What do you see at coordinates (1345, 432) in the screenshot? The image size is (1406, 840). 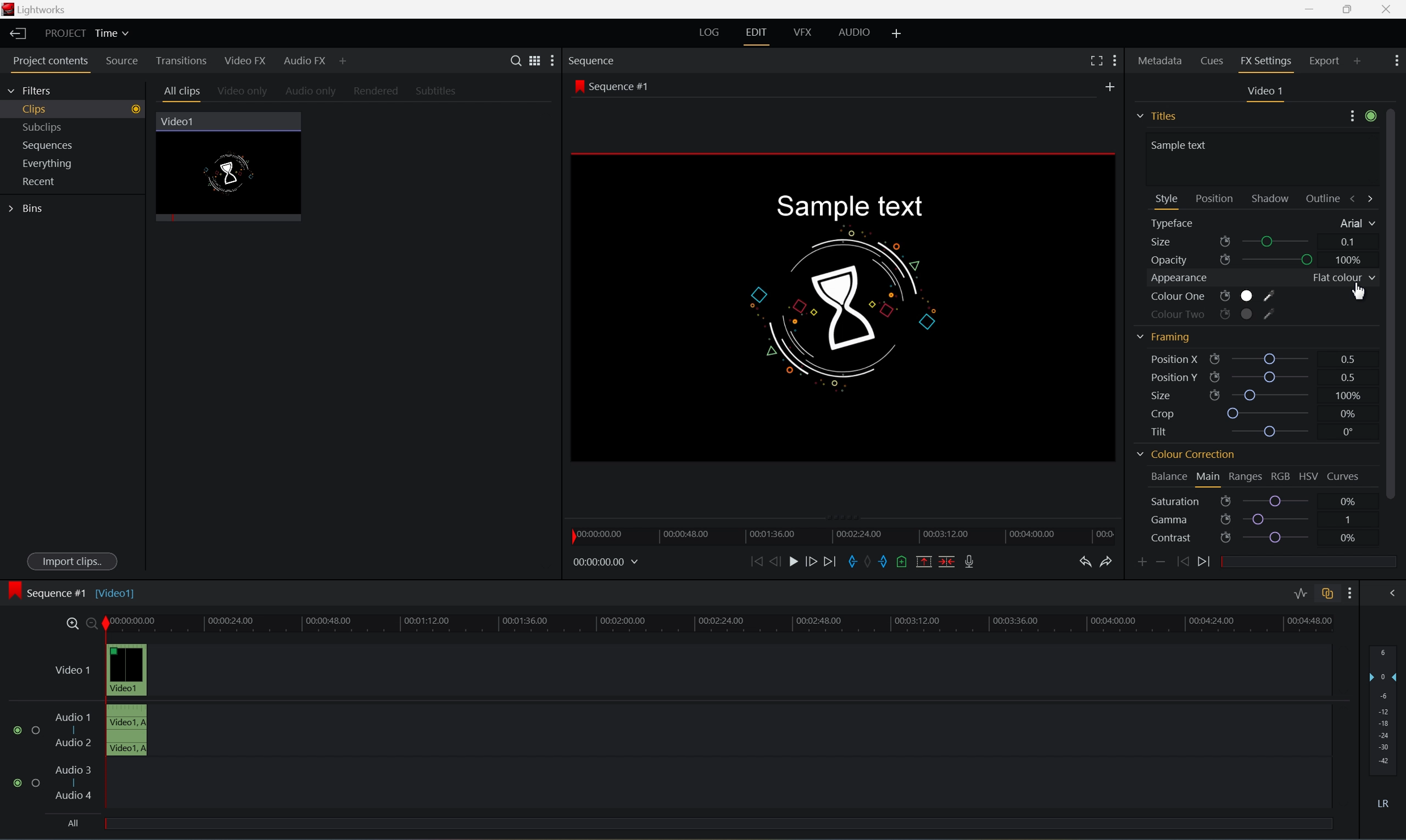 I see `0°` at bounding box center [1345, 432].